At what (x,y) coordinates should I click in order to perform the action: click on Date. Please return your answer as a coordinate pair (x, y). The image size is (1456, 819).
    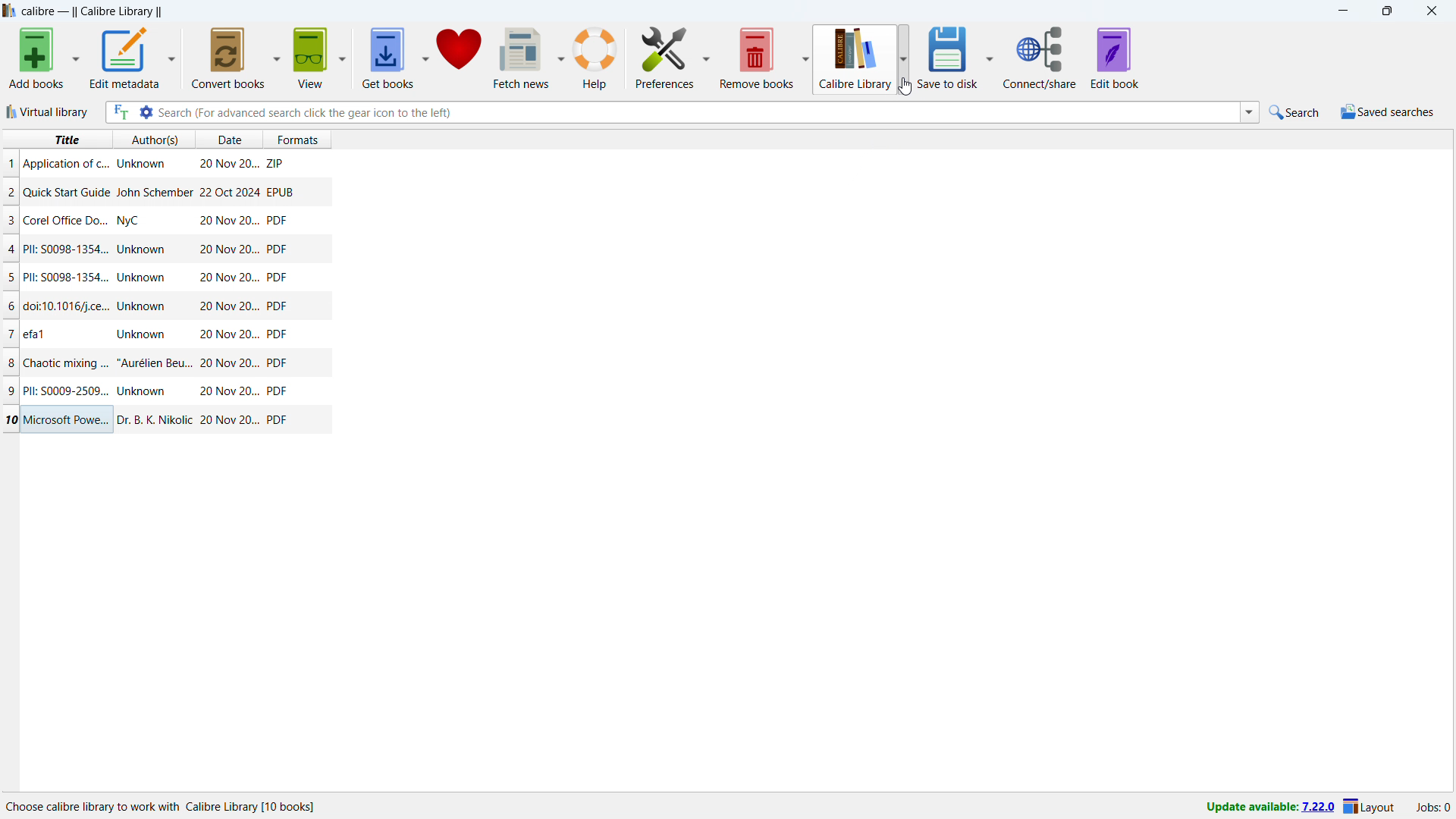
    Looking at the image, I should click on (227, 335).